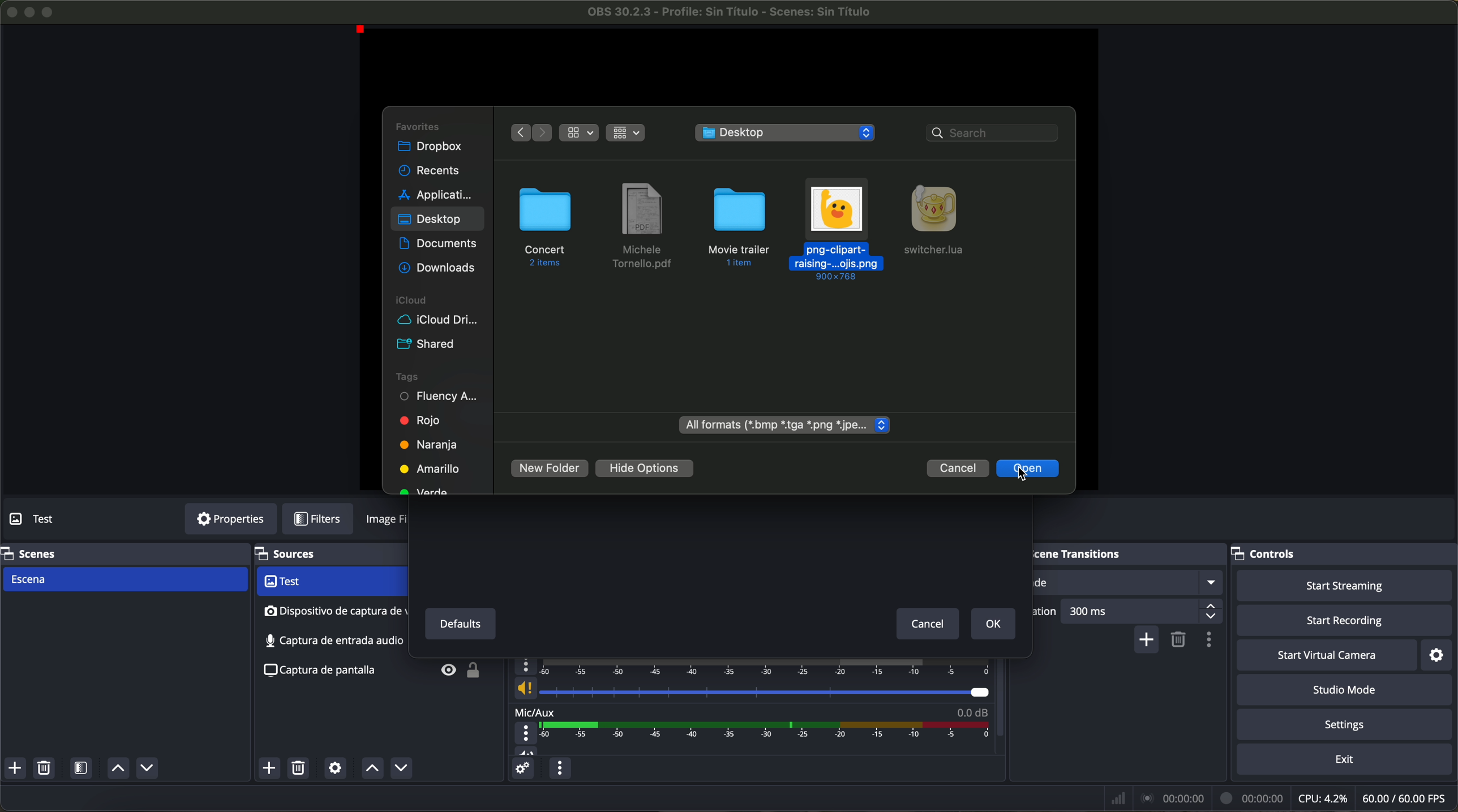  Describe the element at coordinates (958, 469) in the screenshot. I see `cancel button` at that location.